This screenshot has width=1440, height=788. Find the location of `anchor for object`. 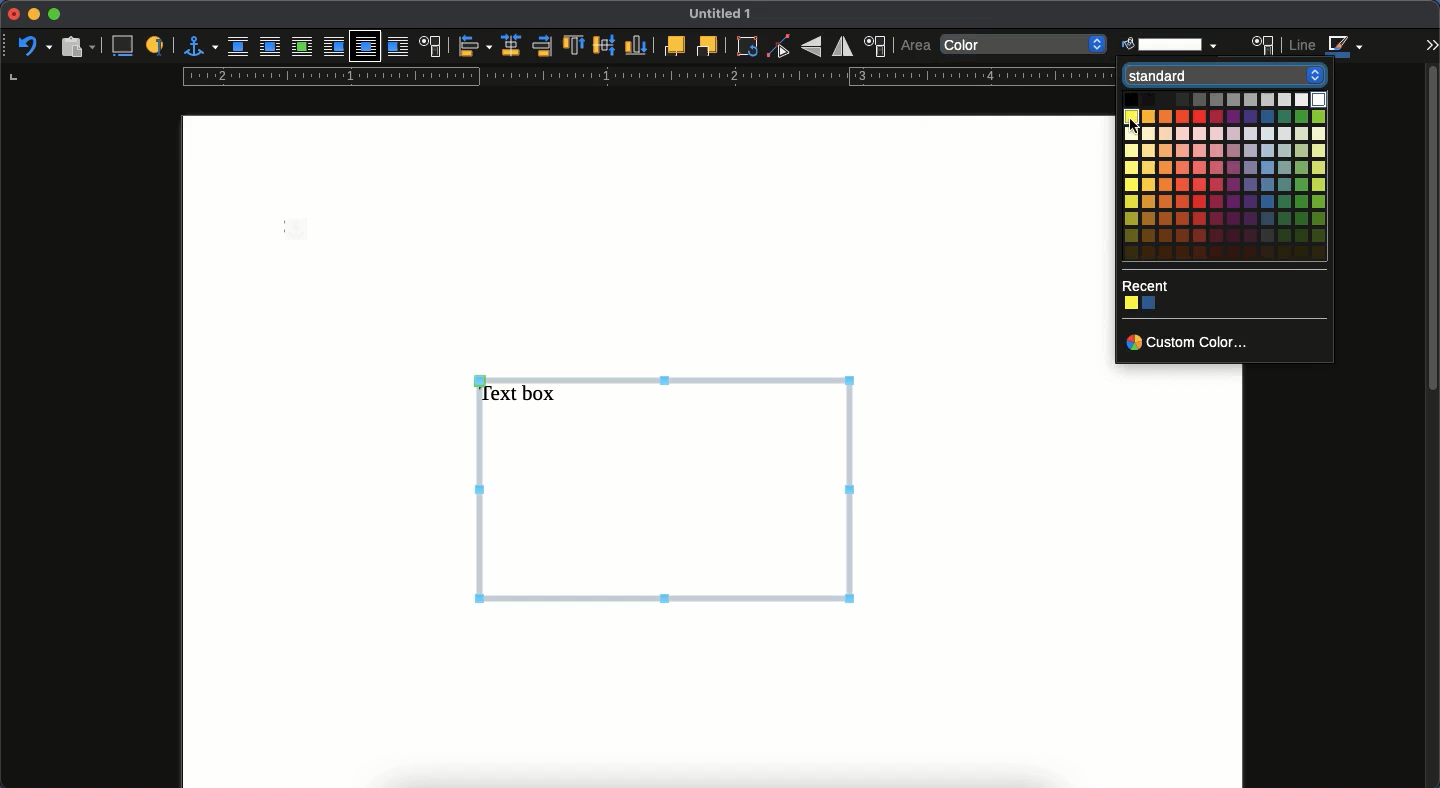

anchor for object is located at coordinates (200, 45).